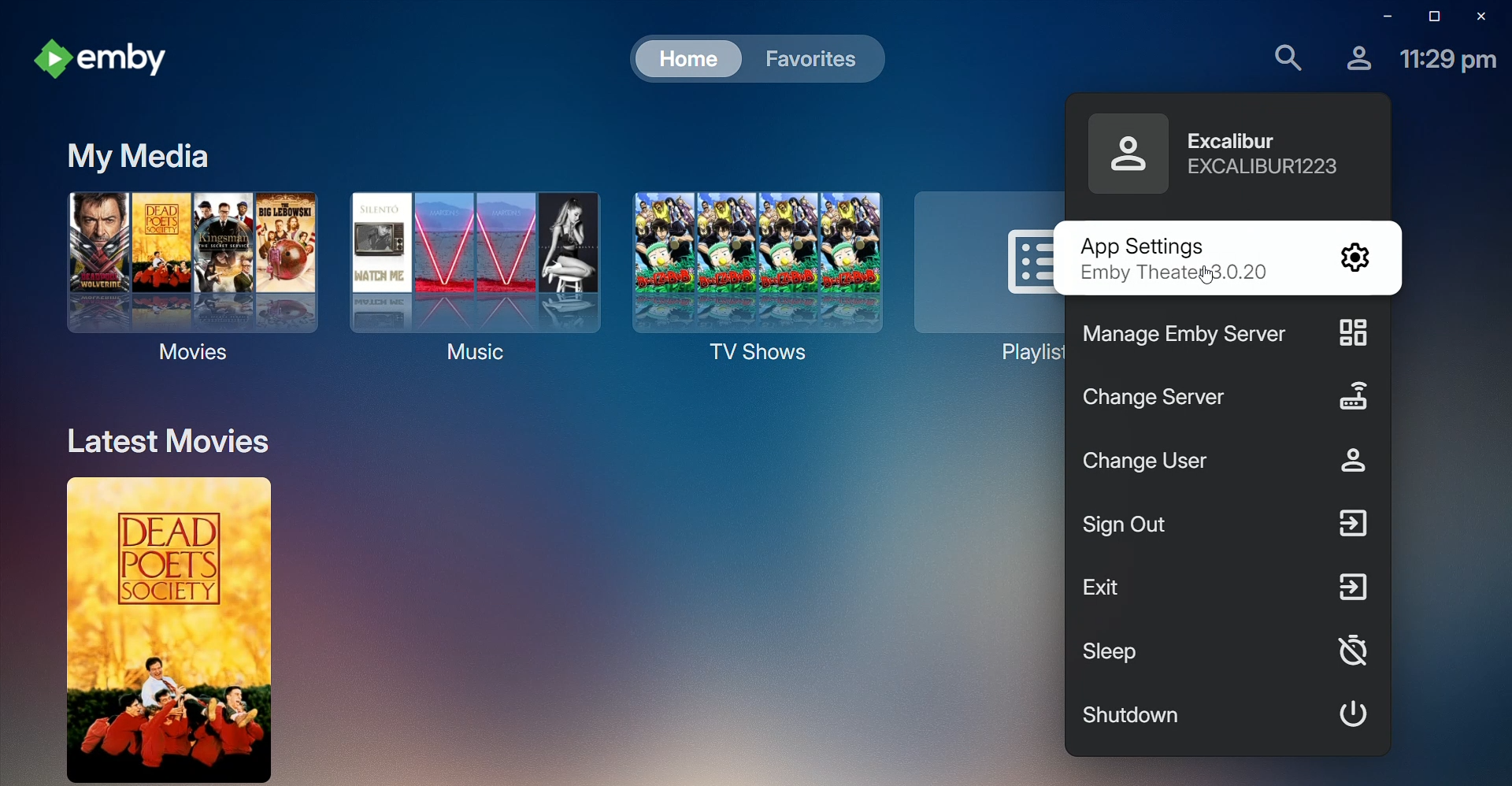  Describe the element at coordinates (177, 439) in the screenshot. I see `Latest Movies` at that location.